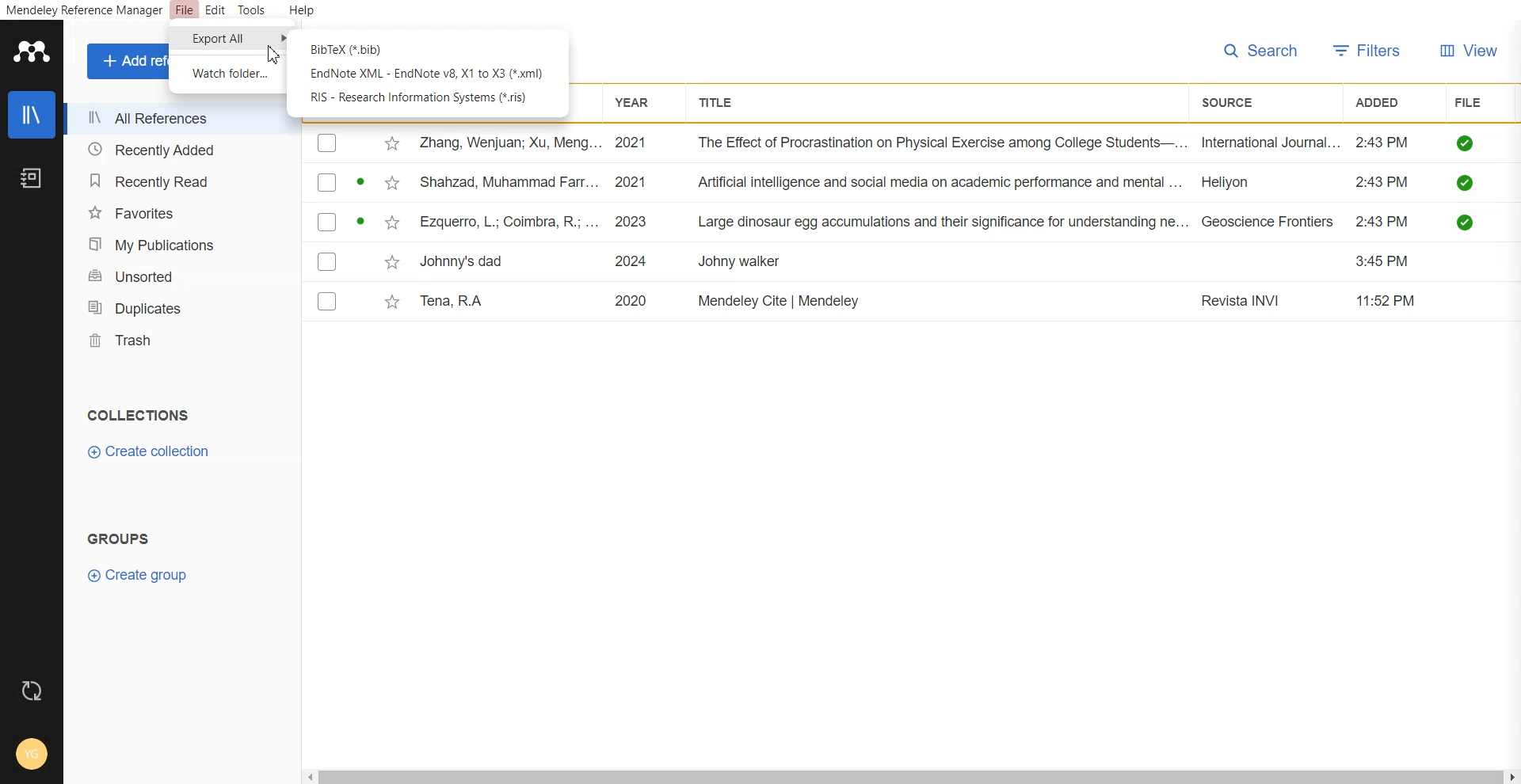  What do you see at coordinates (390, 303) in the screenshot?
I see `star` at bounding box center [390, 303].